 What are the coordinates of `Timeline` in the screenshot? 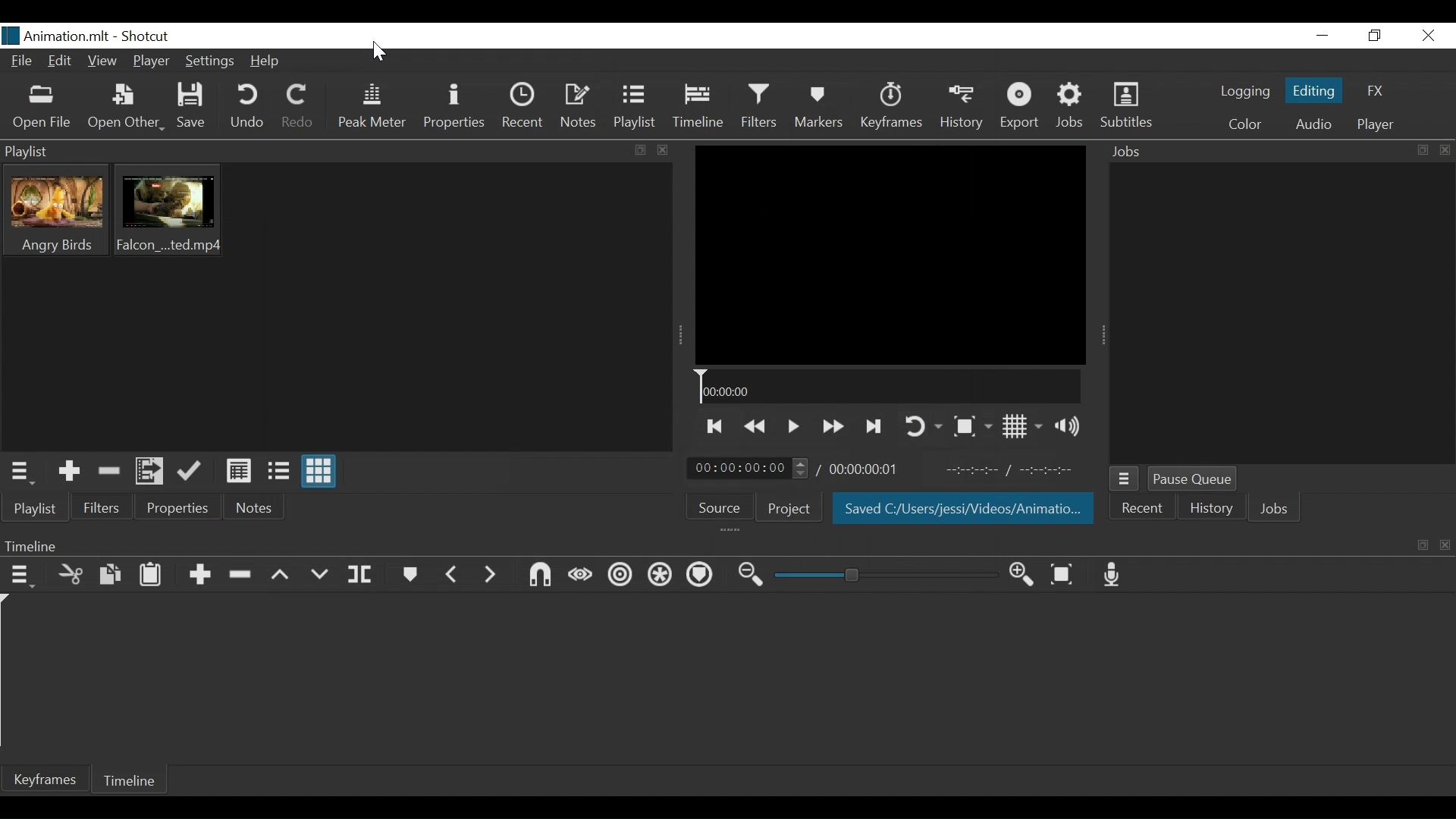 It's located at (136, 780).